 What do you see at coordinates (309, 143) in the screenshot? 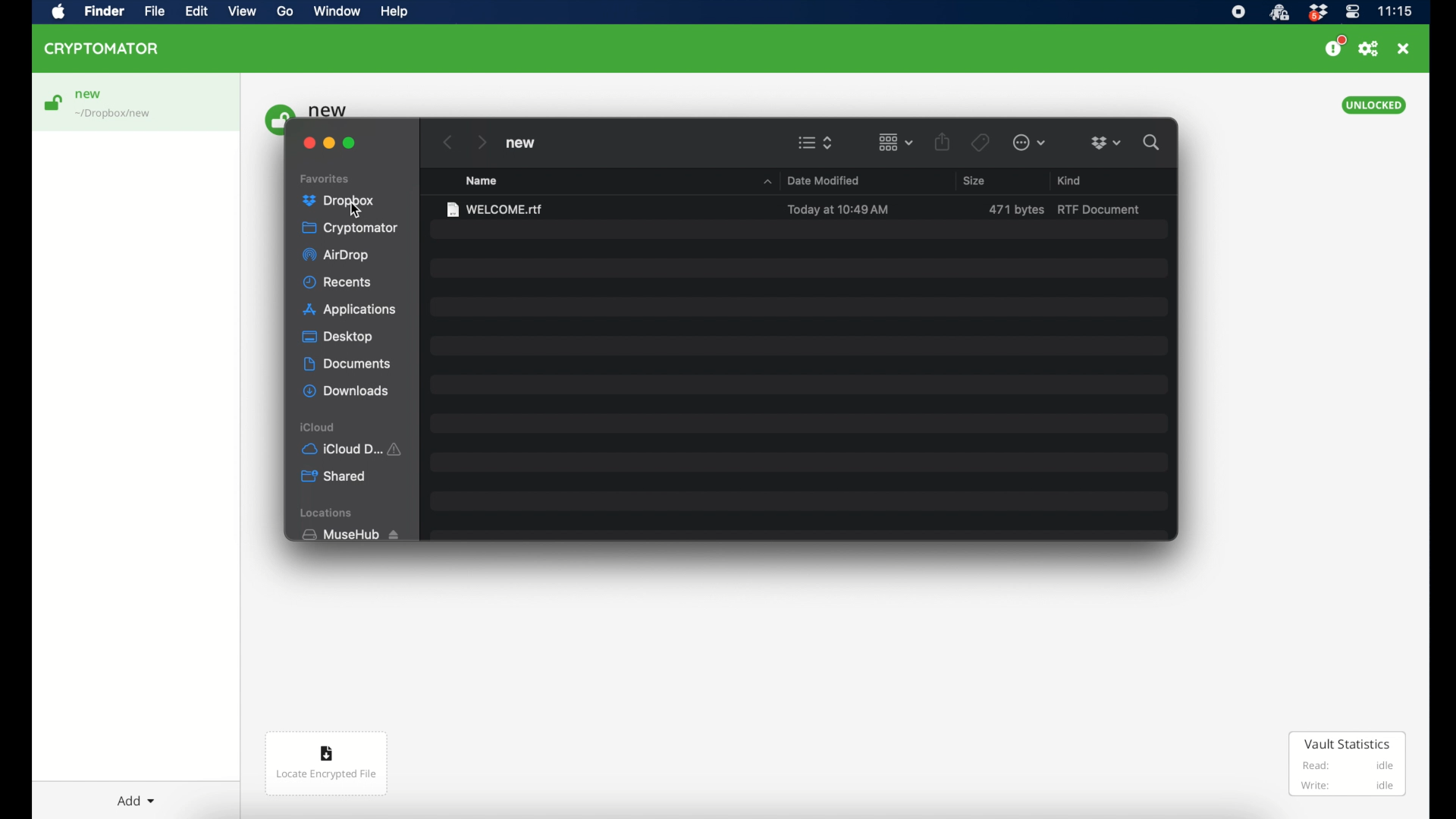
I see `close` at bounding box center [309, 143].